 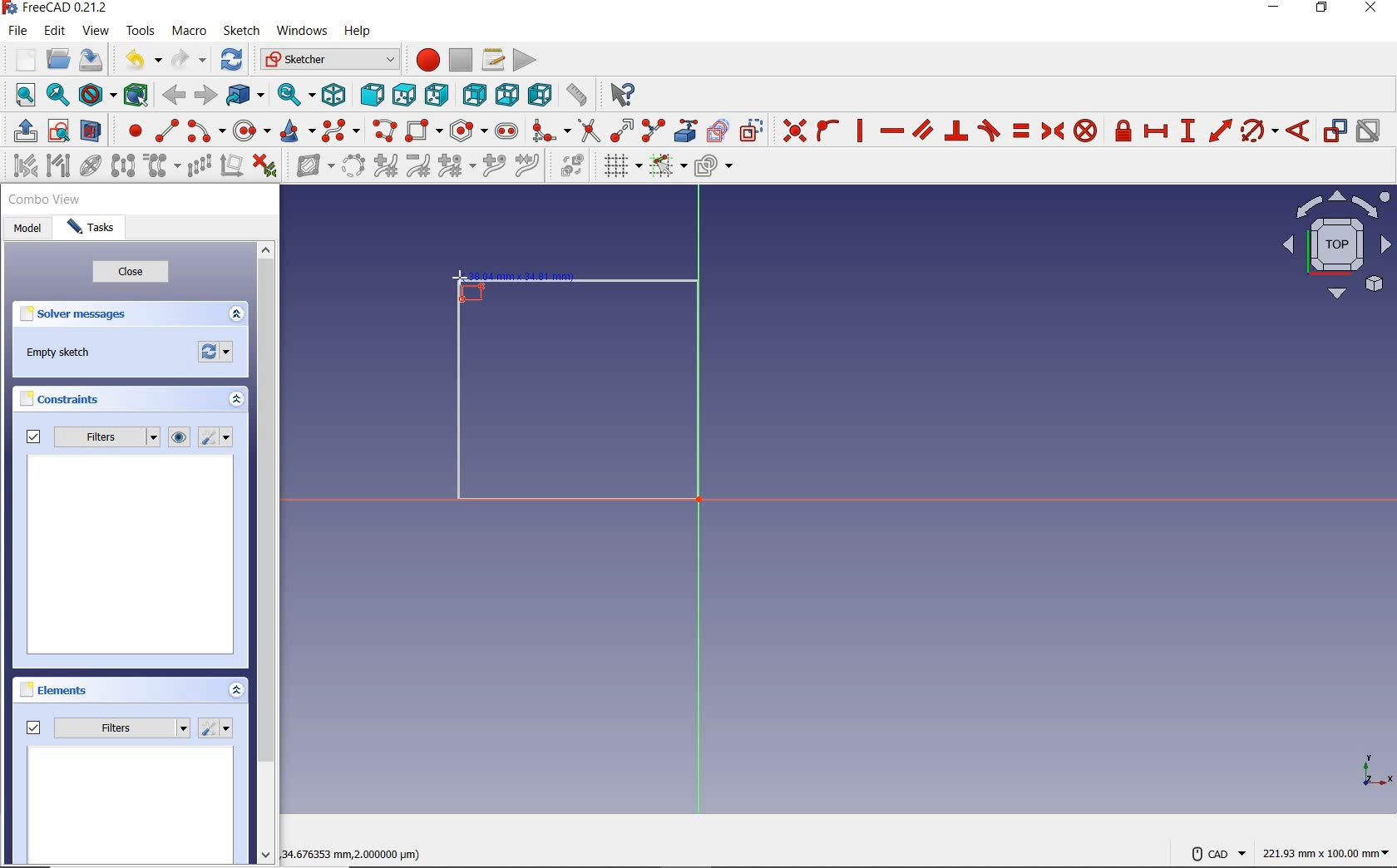 I want to click on scrollbar, so click(x=268, y=555).